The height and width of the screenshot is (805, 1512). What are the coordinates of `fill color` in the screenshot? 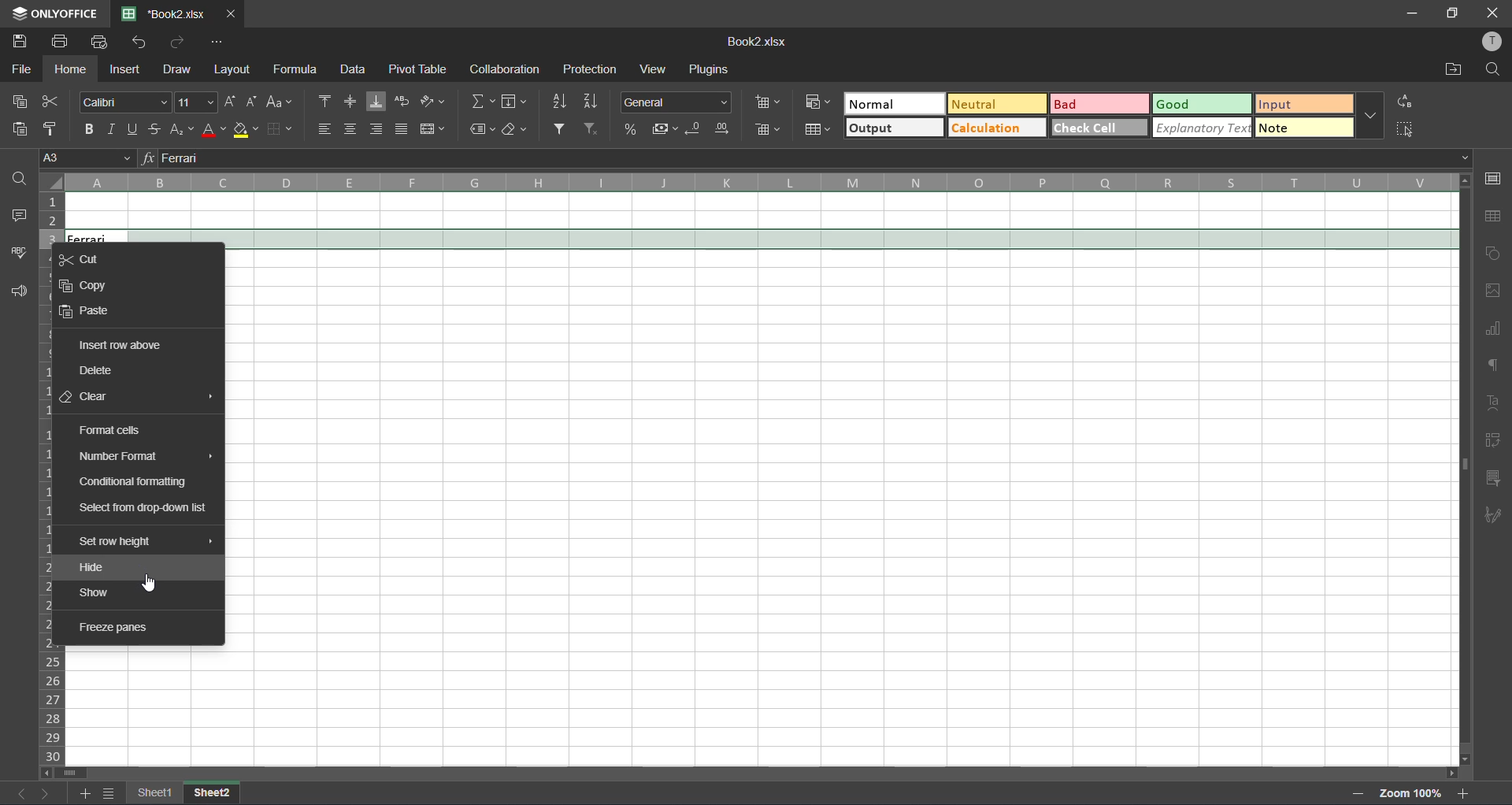 It's located at (250, 130).